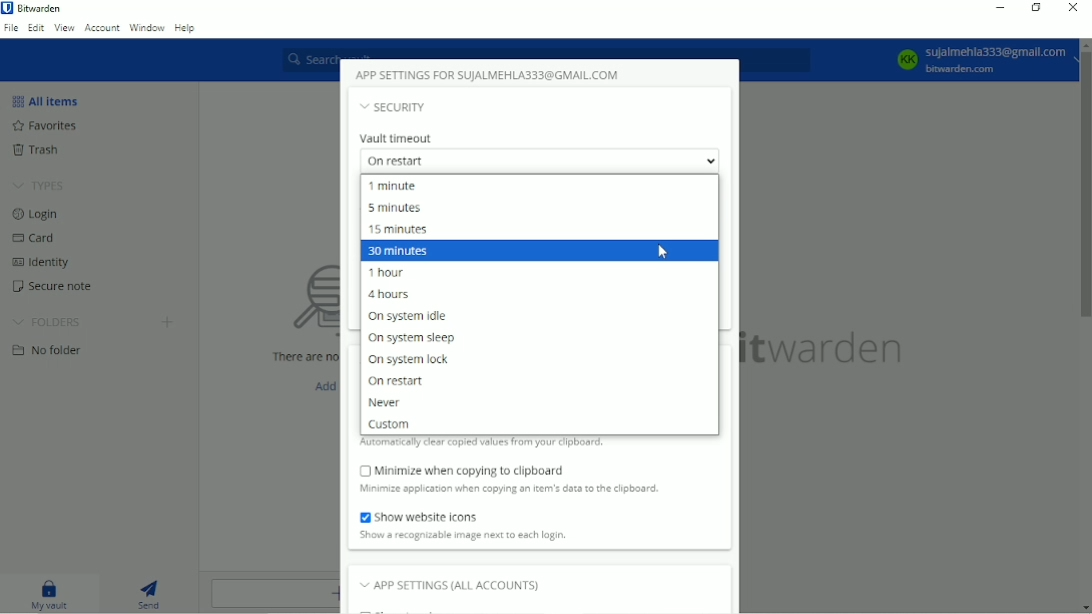  What do you see at coordinates (398, 185) in the screenshot?
I see `1 minute` at bounding box center [398, 185].